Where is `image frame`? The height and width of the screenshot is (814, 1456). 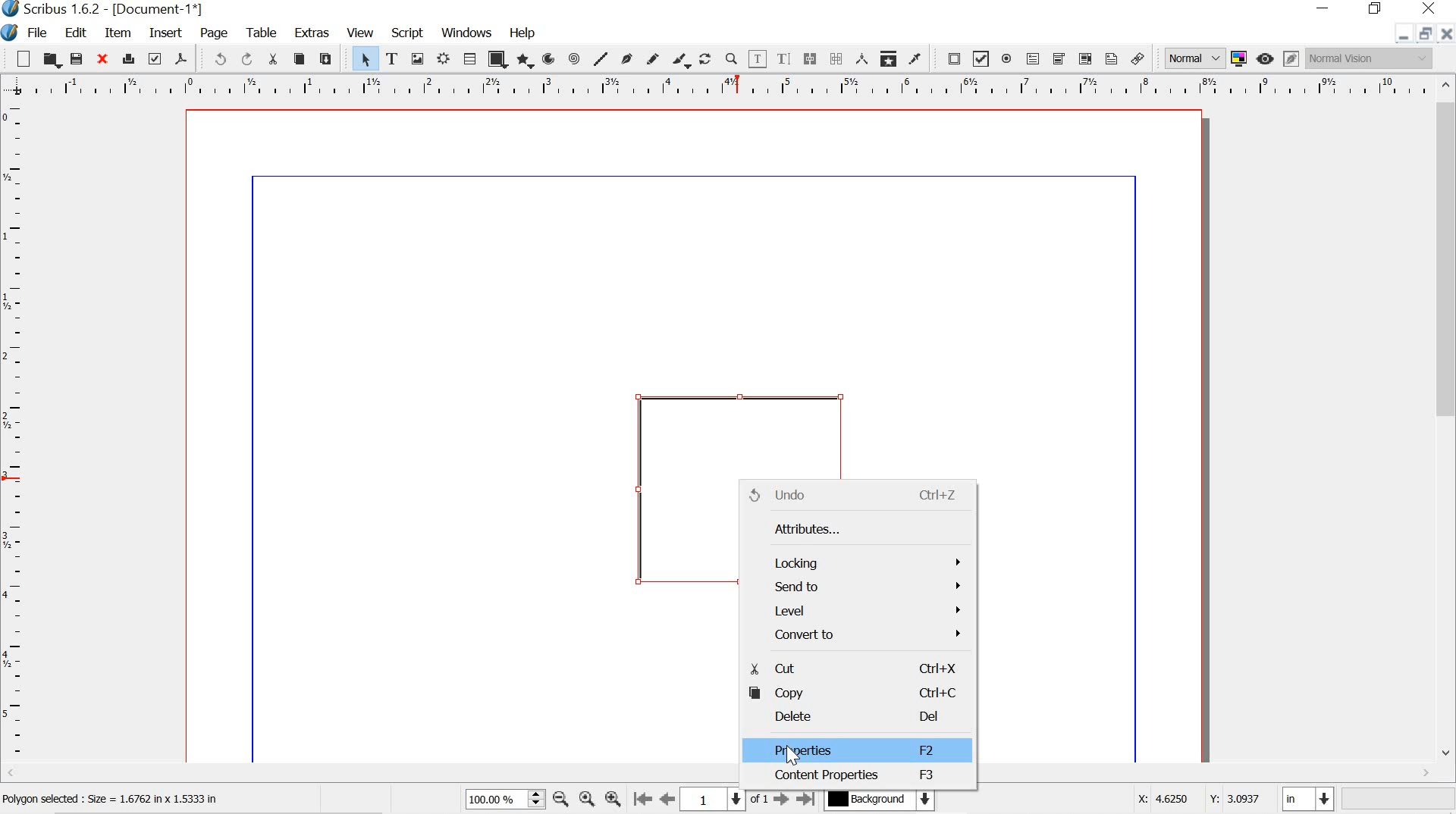 image frame is located at coordinates (418, 58).